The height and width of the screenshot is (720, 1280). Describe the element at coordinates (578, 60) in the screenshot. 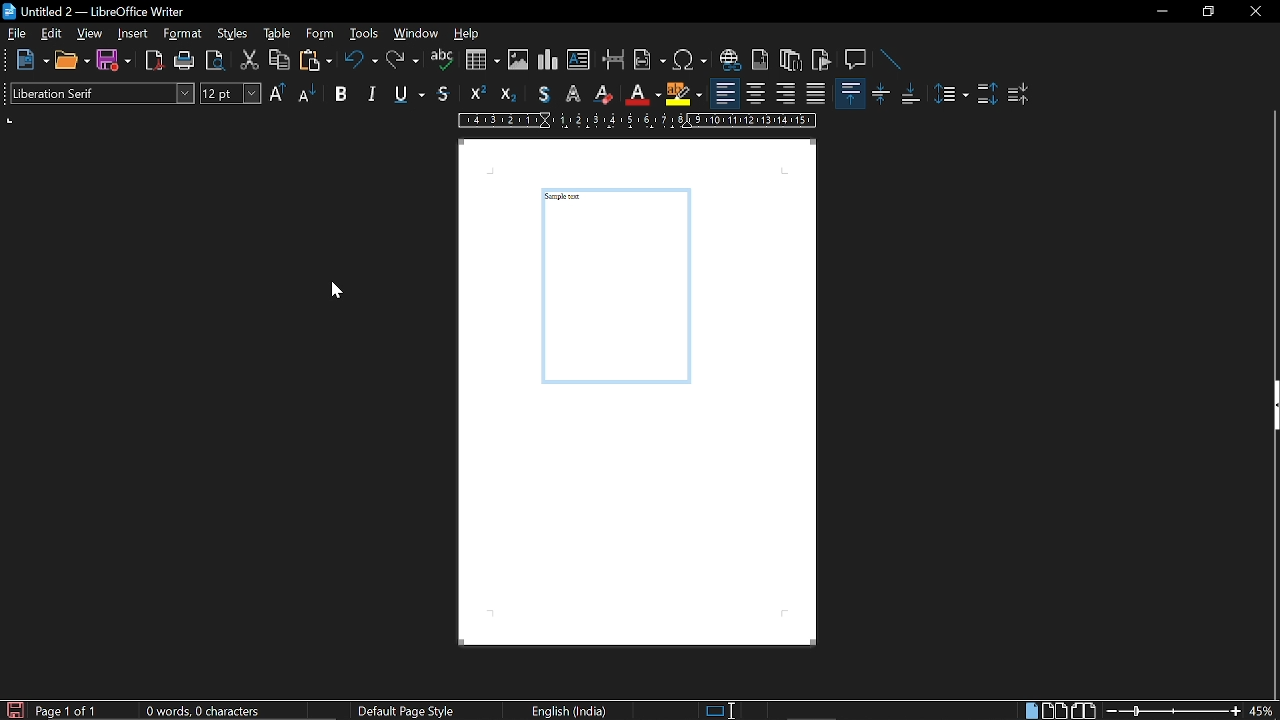

I see `insert text` at that location.